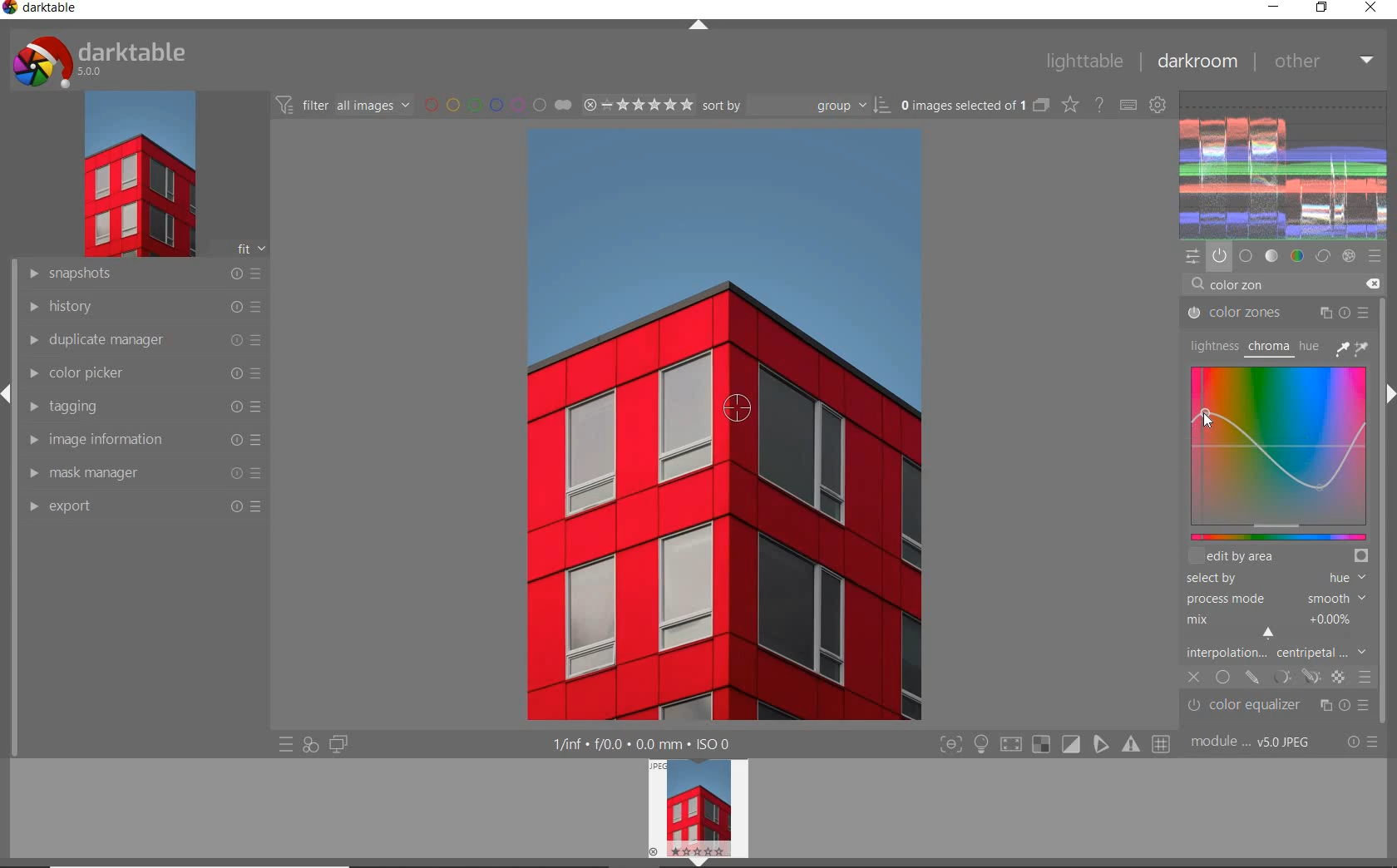 Image resolution: width=1397 pixels, height=868 pixels. Describe the element at coordinates (1009, 745) in the screenshot. I see `shadow` at that location.